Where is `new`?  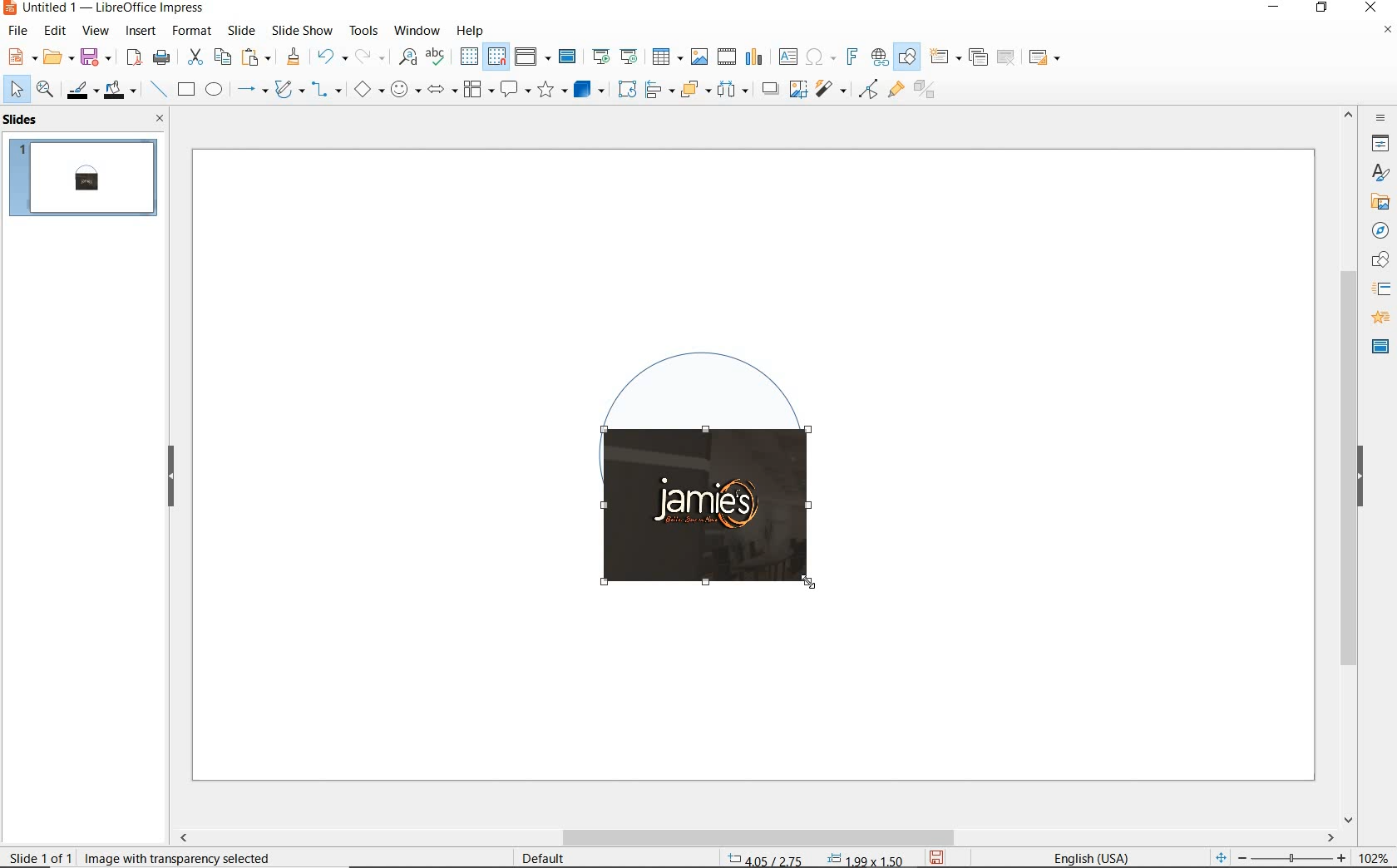
new is located at coordinates (20, 56).